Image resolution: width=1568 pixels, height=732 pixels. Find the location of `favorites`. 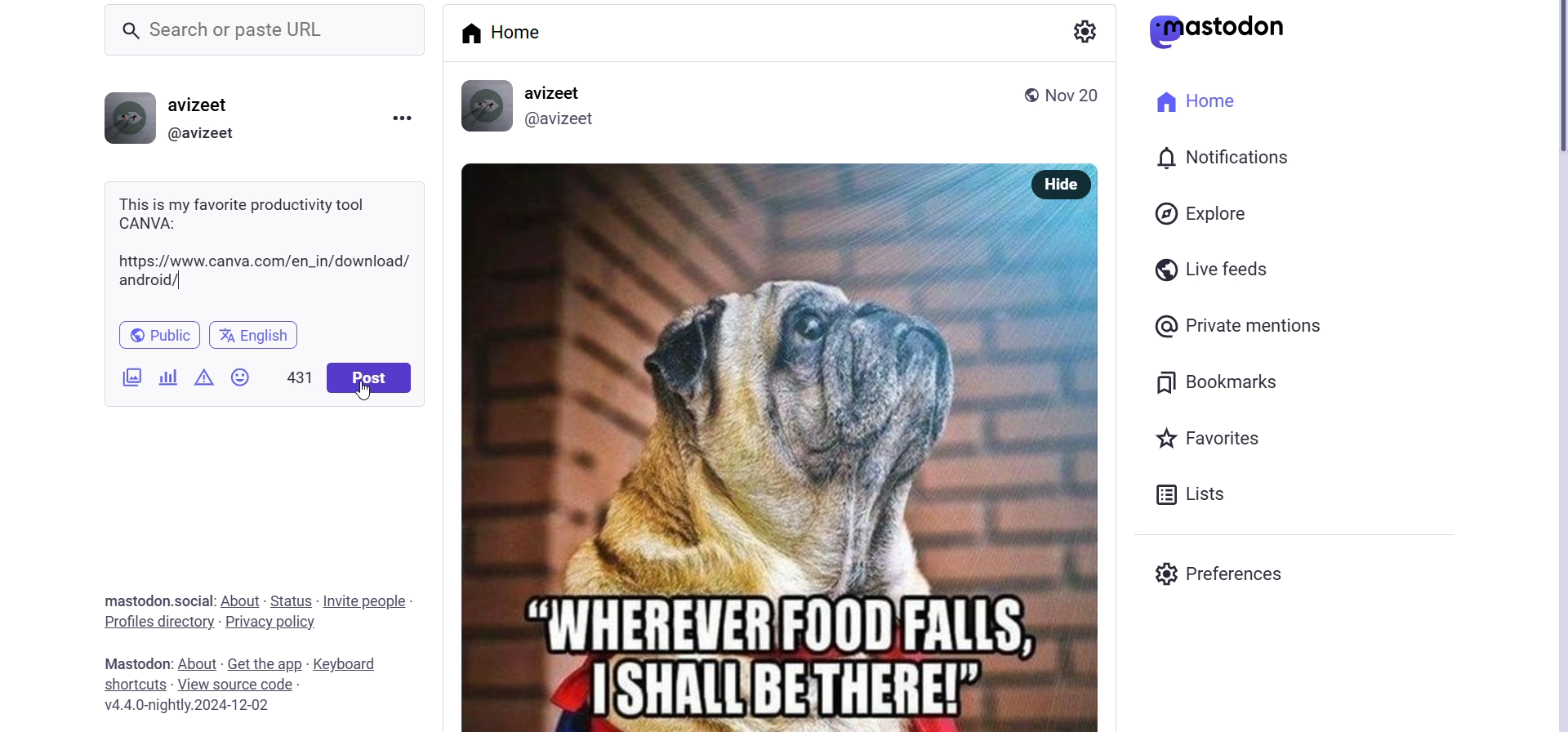

favorites is located at coordinates (1214, 441).